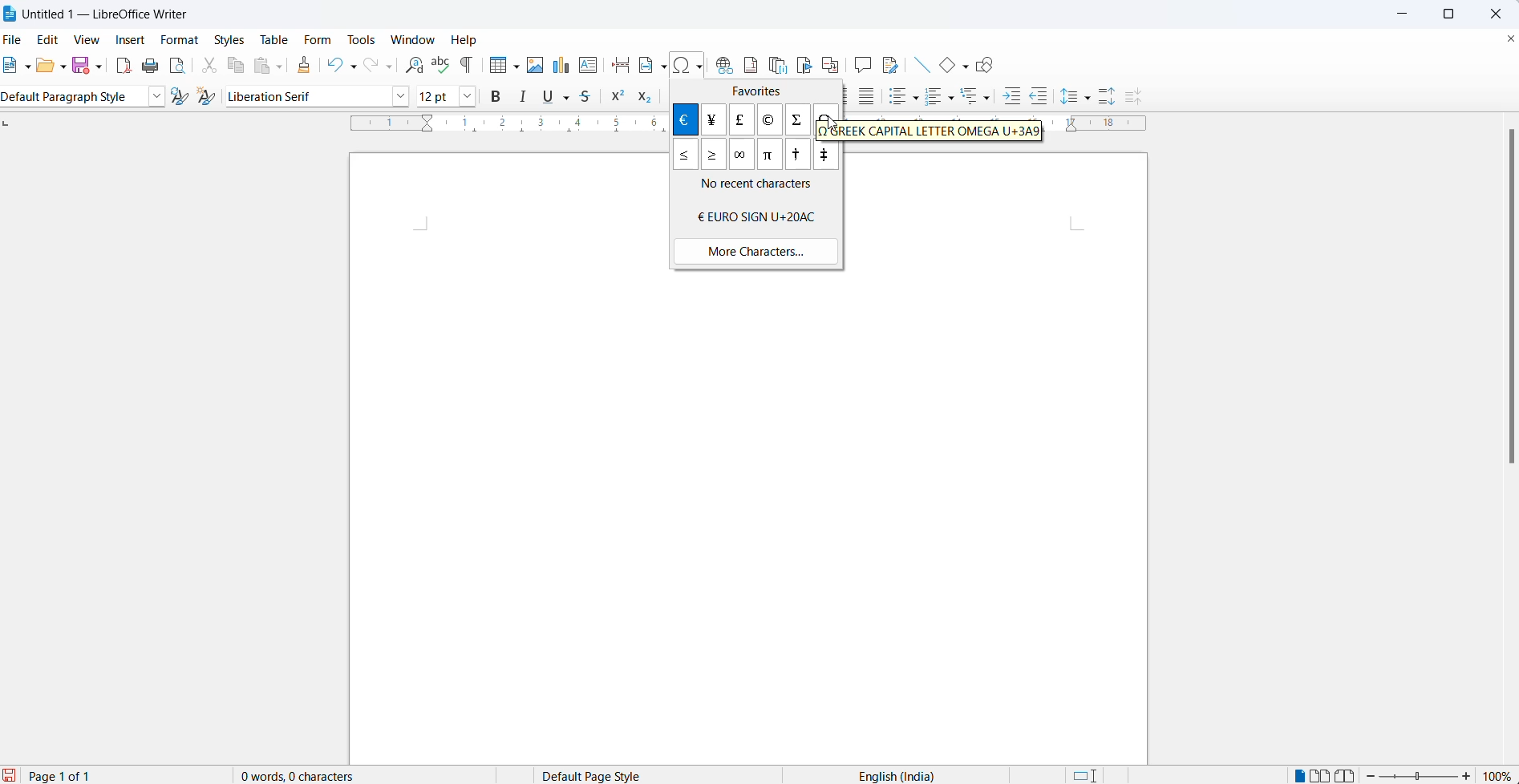 The image size is (1519, 784). Describe the element at coordinates (798, 119) in the screenshot. I see `greek copyright` at that location.